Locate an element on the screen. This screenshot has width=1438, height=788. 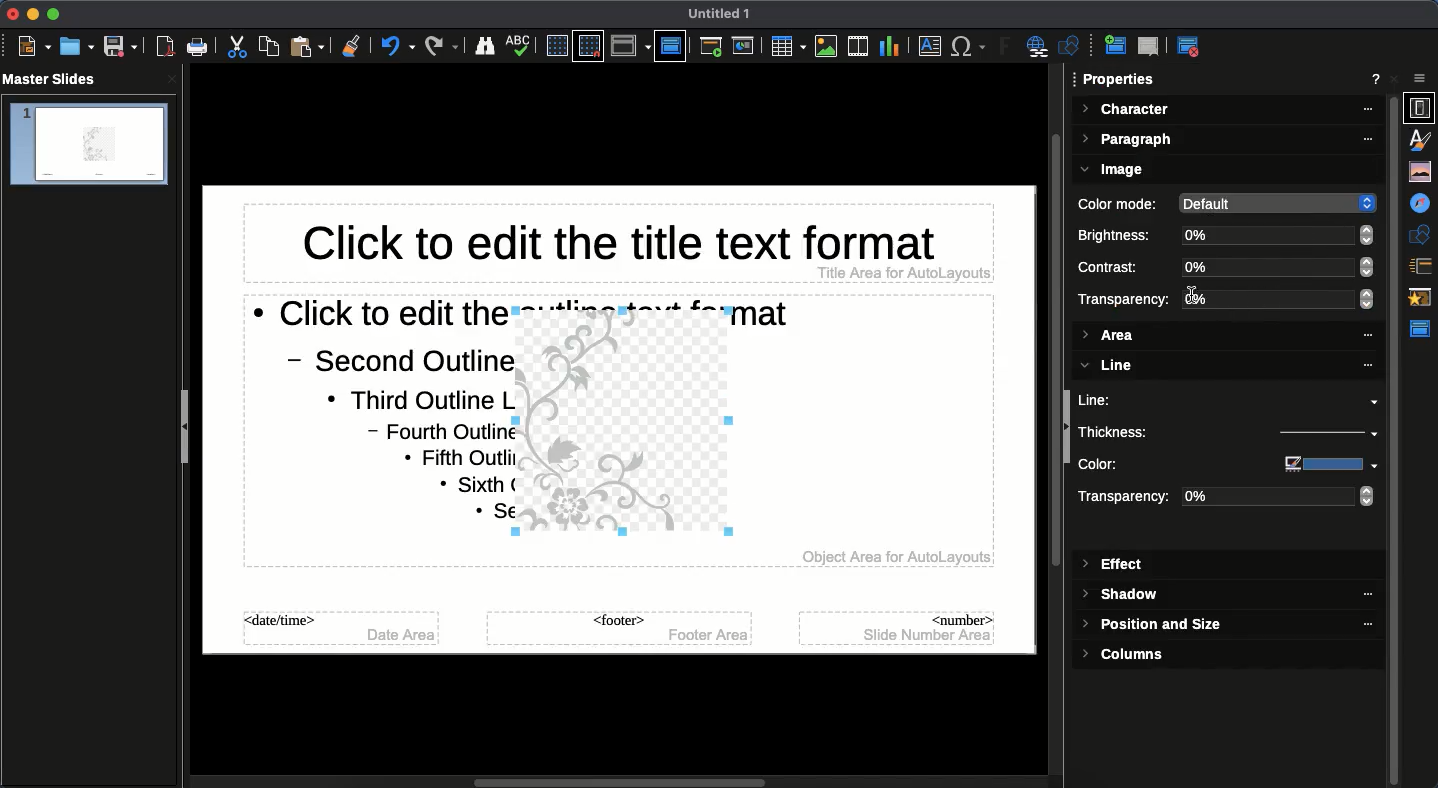
Slide transition is located at coordinates (1423, 266).